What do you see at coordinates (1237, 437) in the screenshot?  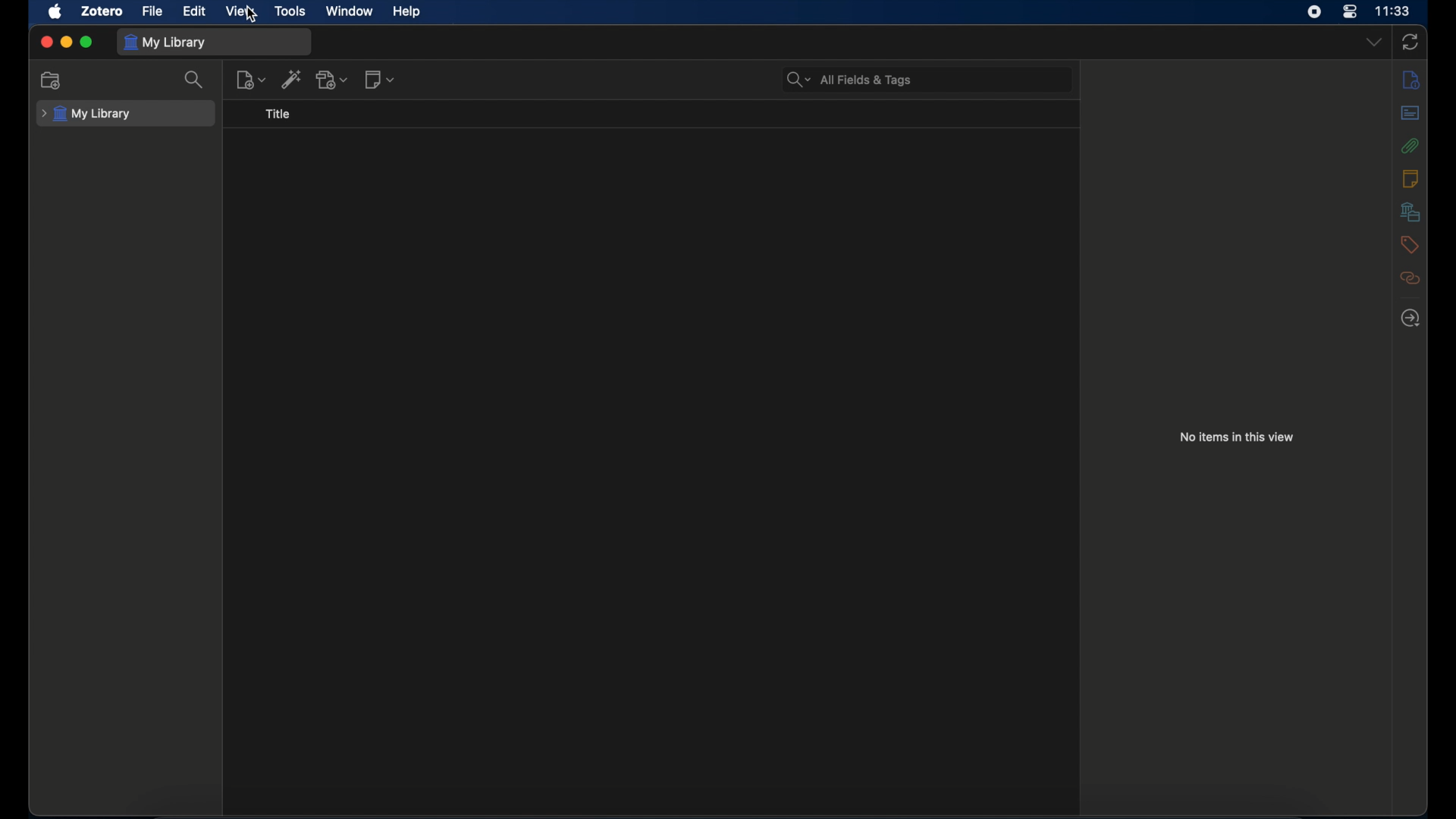 I see `no items in this view` at bounding box center [1237, 437].